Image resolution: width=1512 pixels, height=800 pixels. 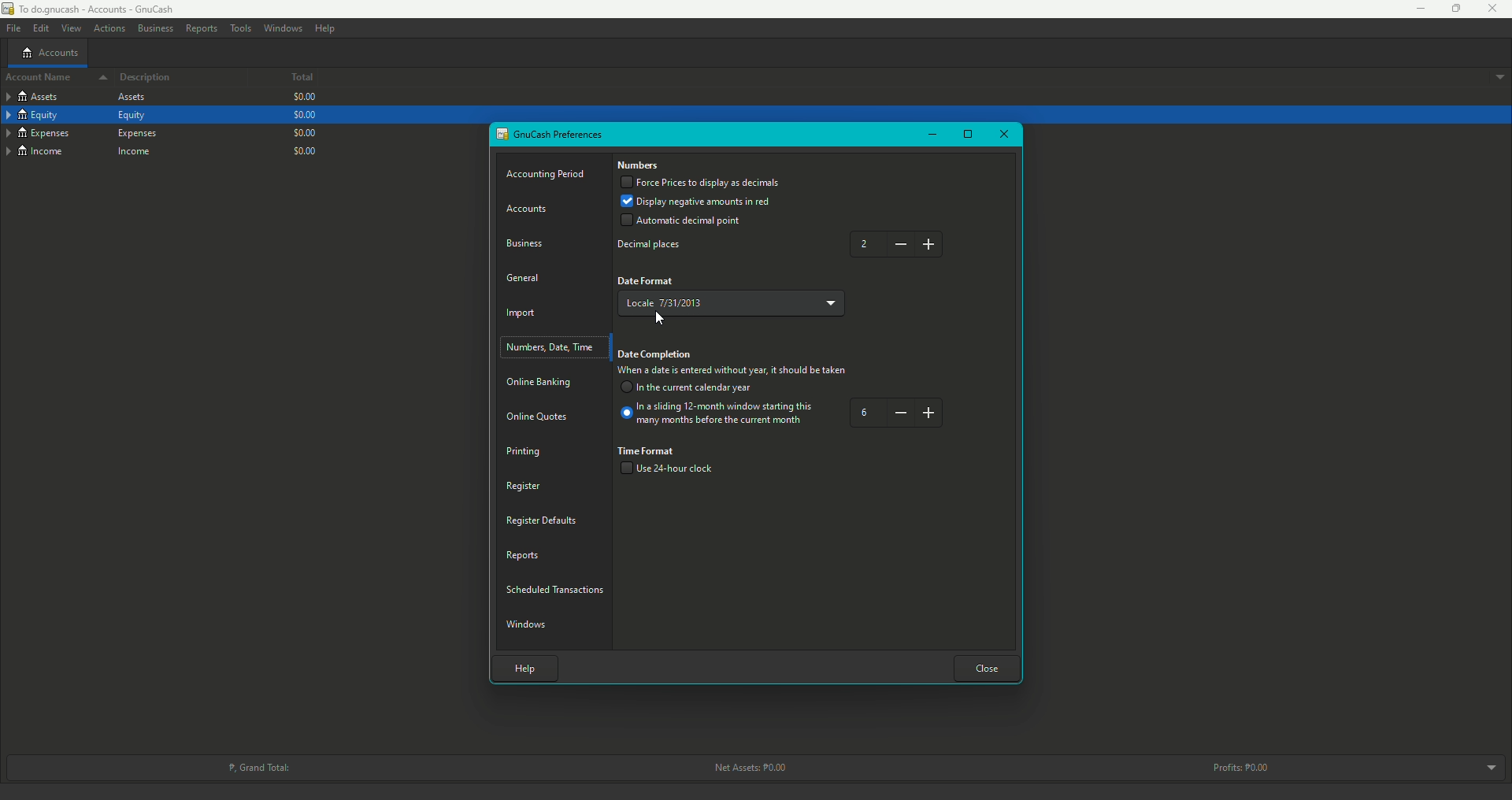 What do you see at coordinates (543, 417) in the screenshot?
I see `Online Quotes` at bounding box center [543, 417].